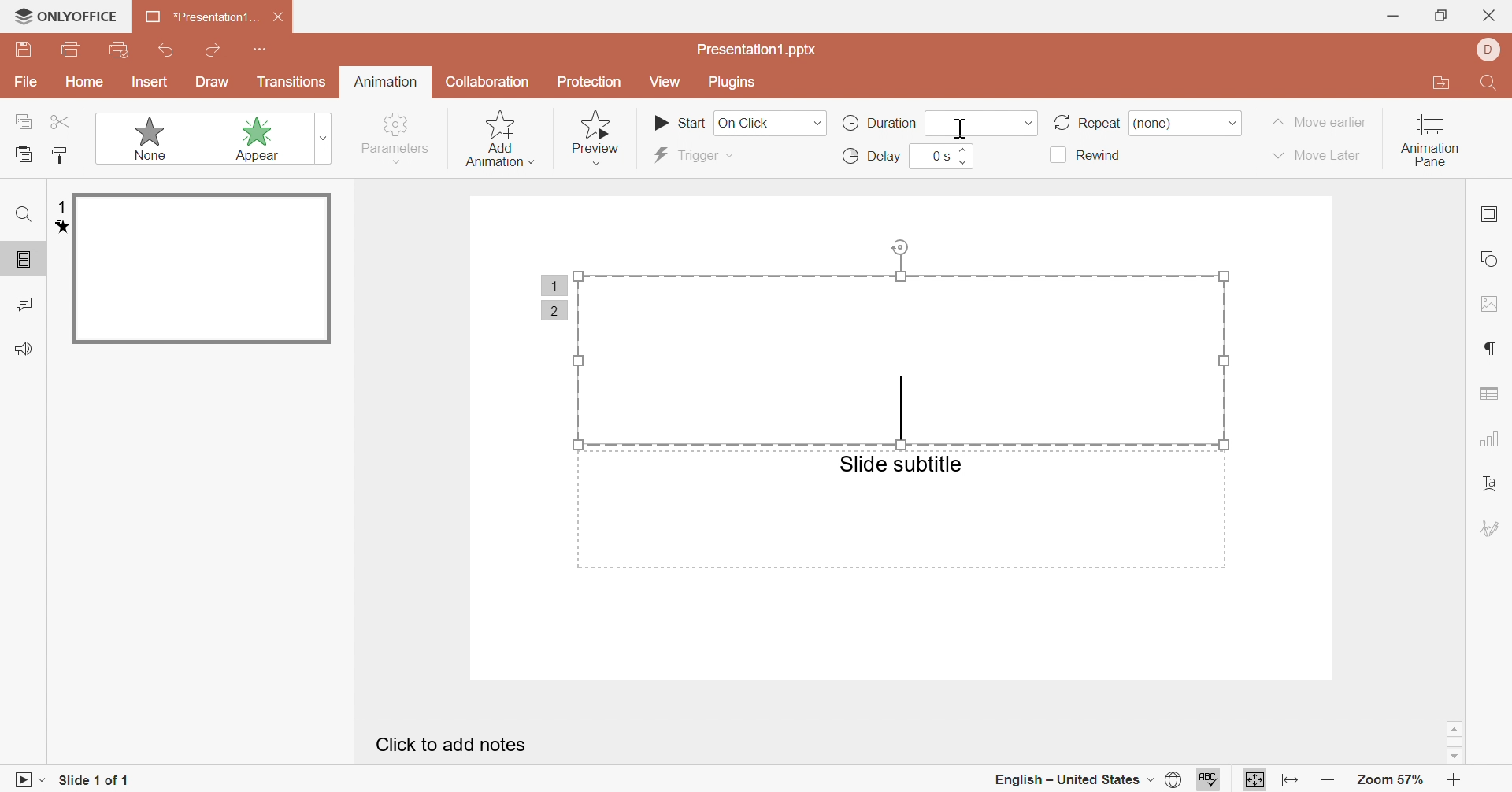 Image resolution: width=1512 pixels, height=792 pixels. What do you see at coordinates (1490, 49) in the screenshot?
I see `dell` at bounding box center [1490, 49].